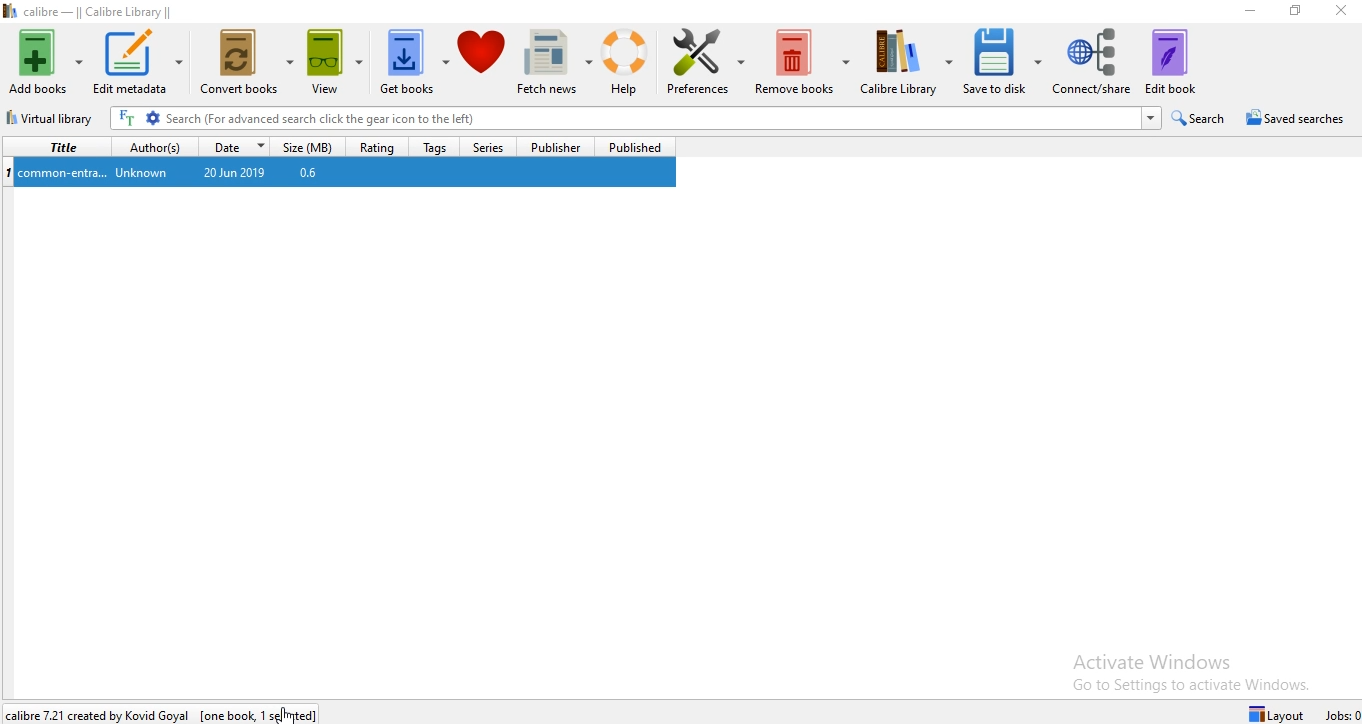 The image size is (1362, 724). Describe the element at coordinates (59, 146) in the screenshot. I see `Title` at that location.